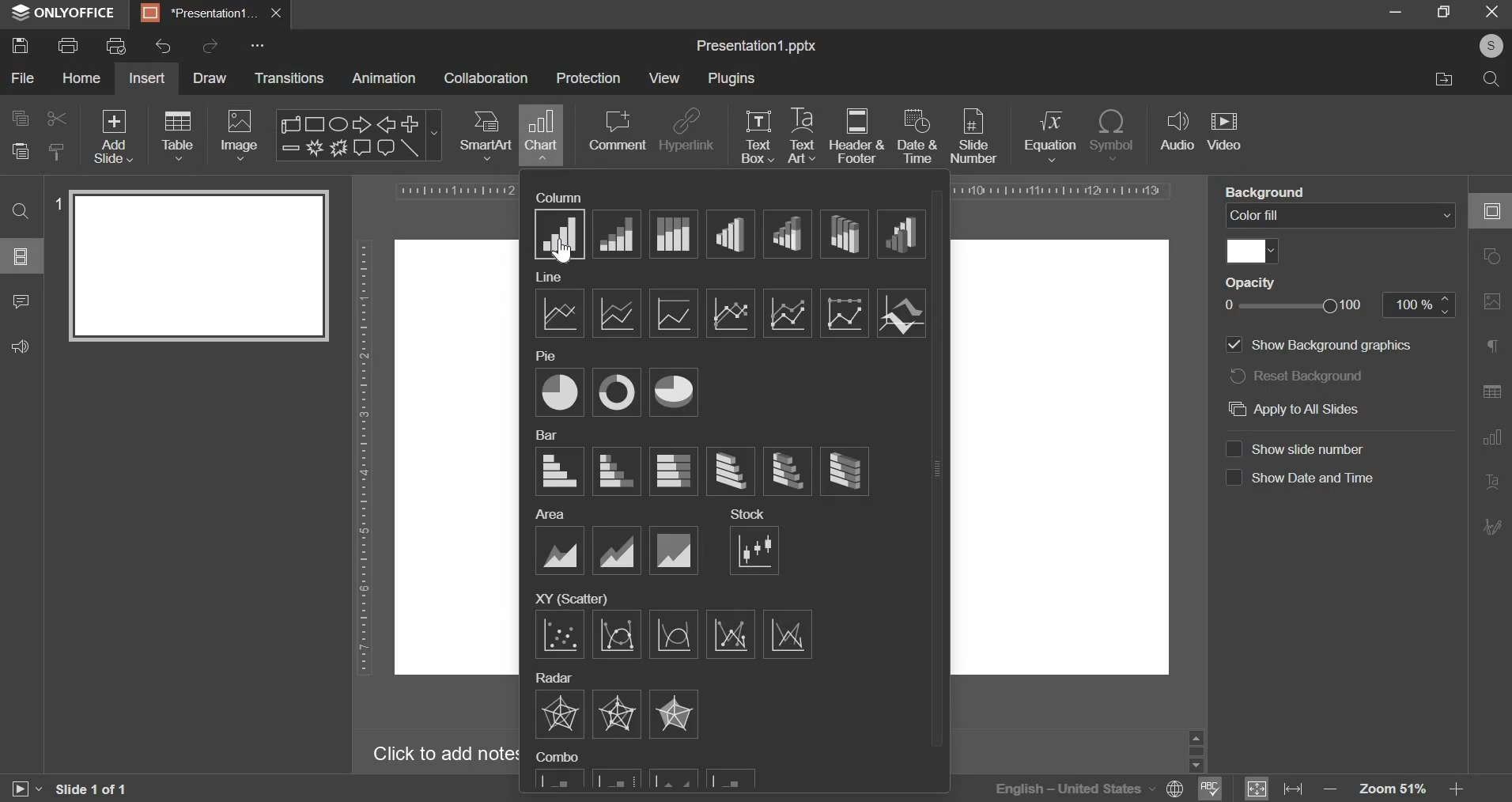  What do you see at coordinates (1064, 192) in the screenshot?
I see `horizontal scale` at bounding box center [1064, 192].